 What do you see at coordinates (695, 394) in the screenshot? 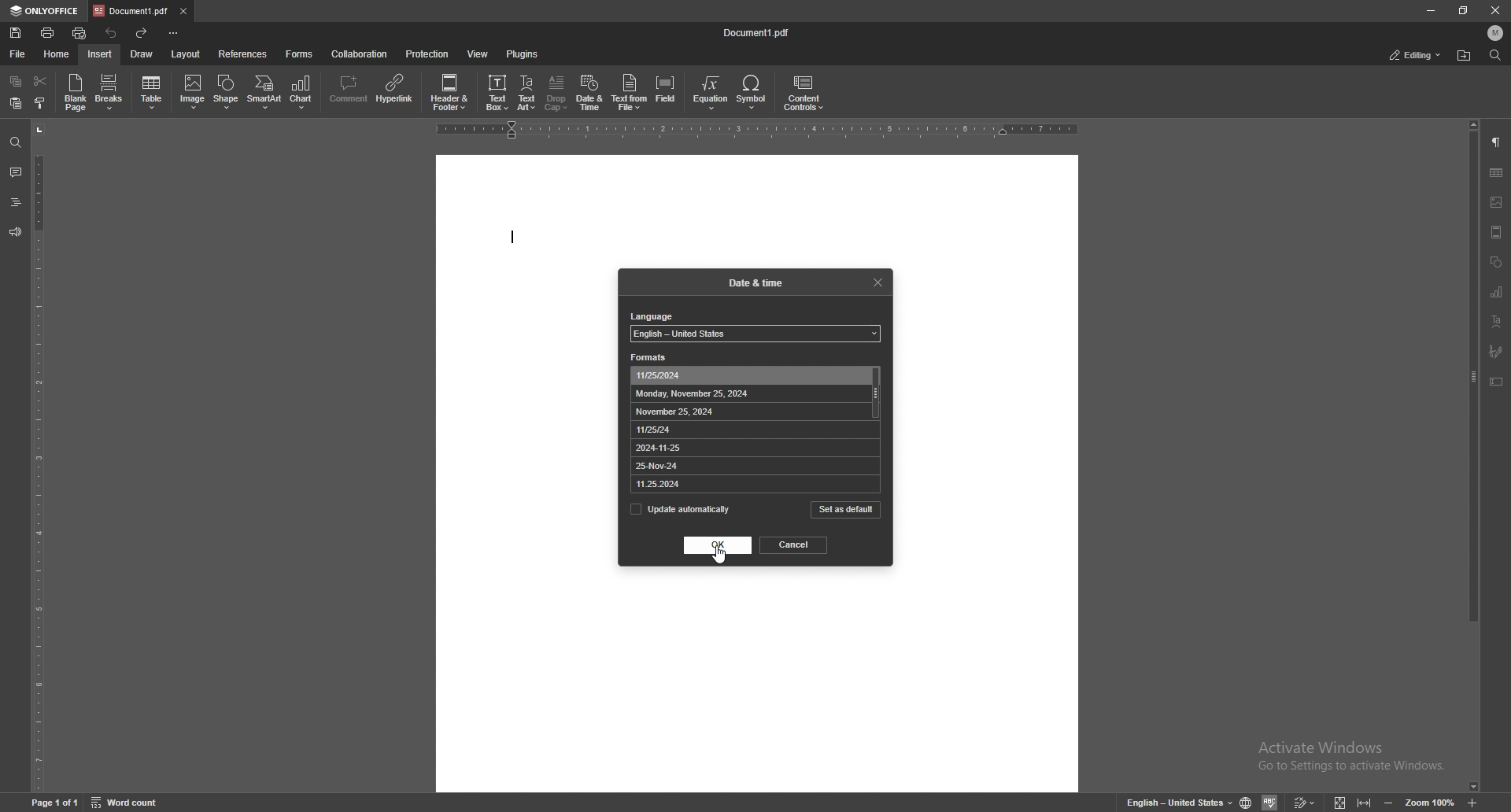
I see `date format` at bounding box center [695, 394].